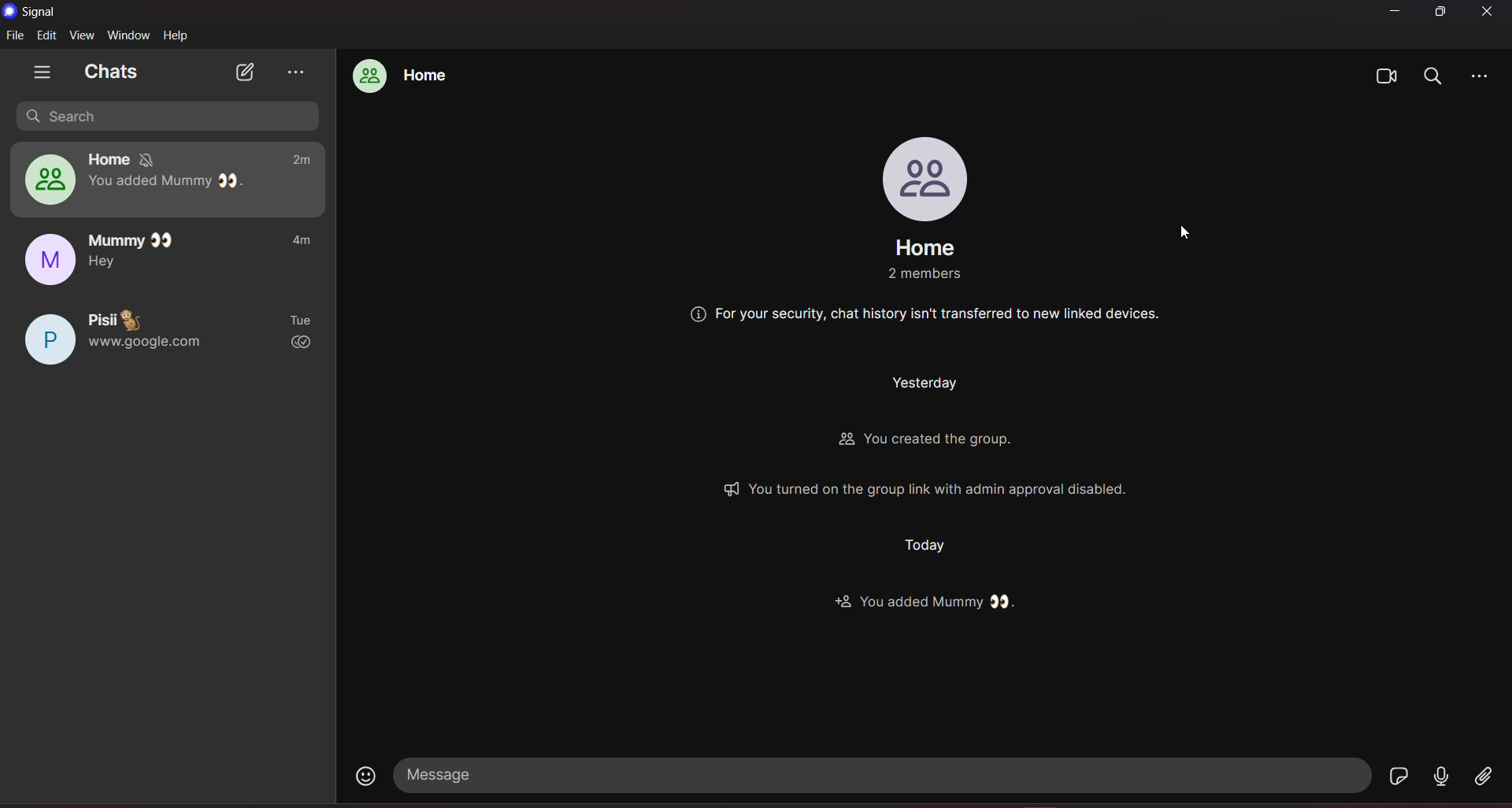 This screenshot has width=1512, height=808. I want to click on file share, so click(1482, 776).